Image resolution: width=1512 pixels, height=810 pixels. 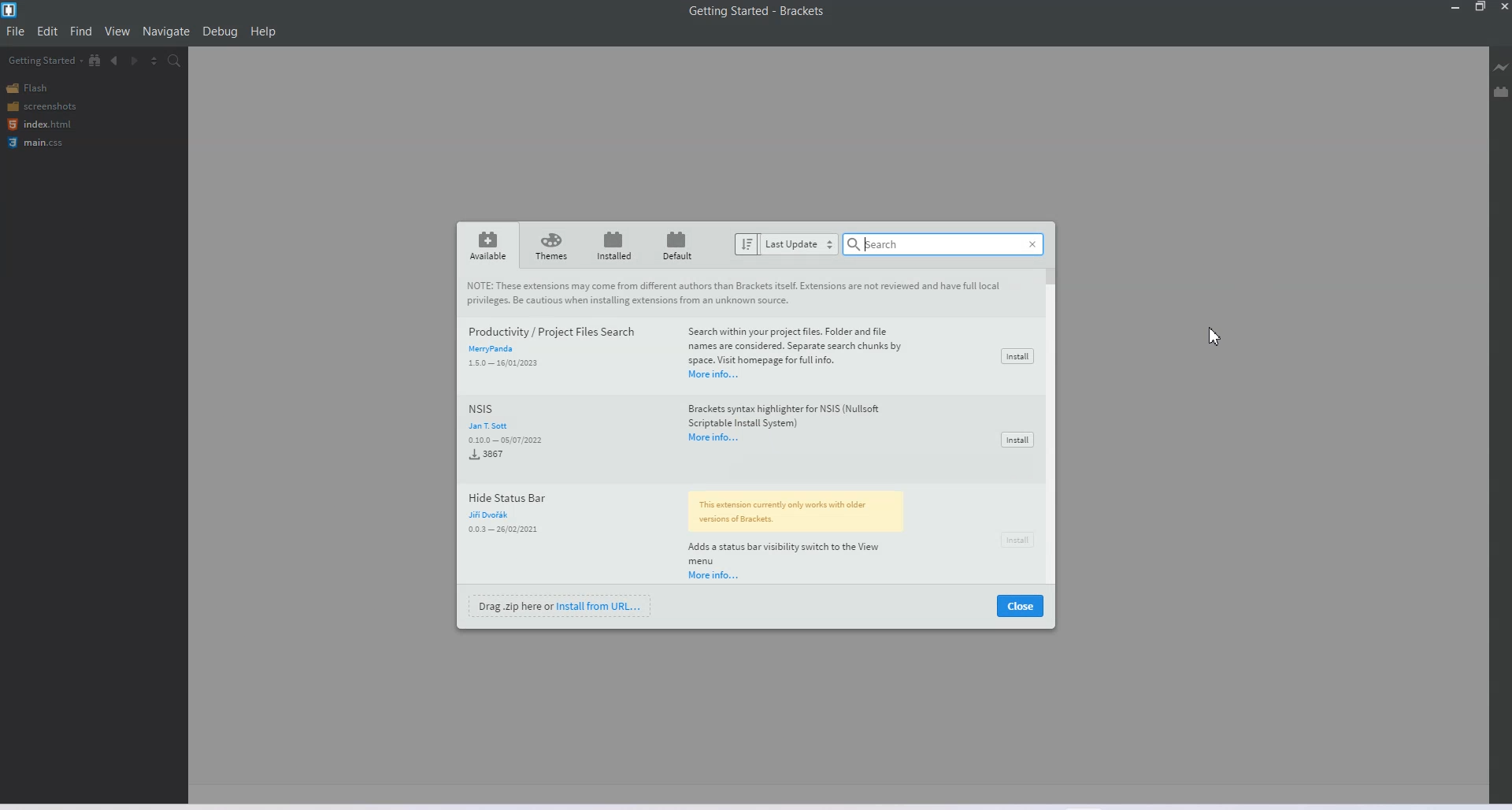 I want to click on more info, so click(x=715, y=440).